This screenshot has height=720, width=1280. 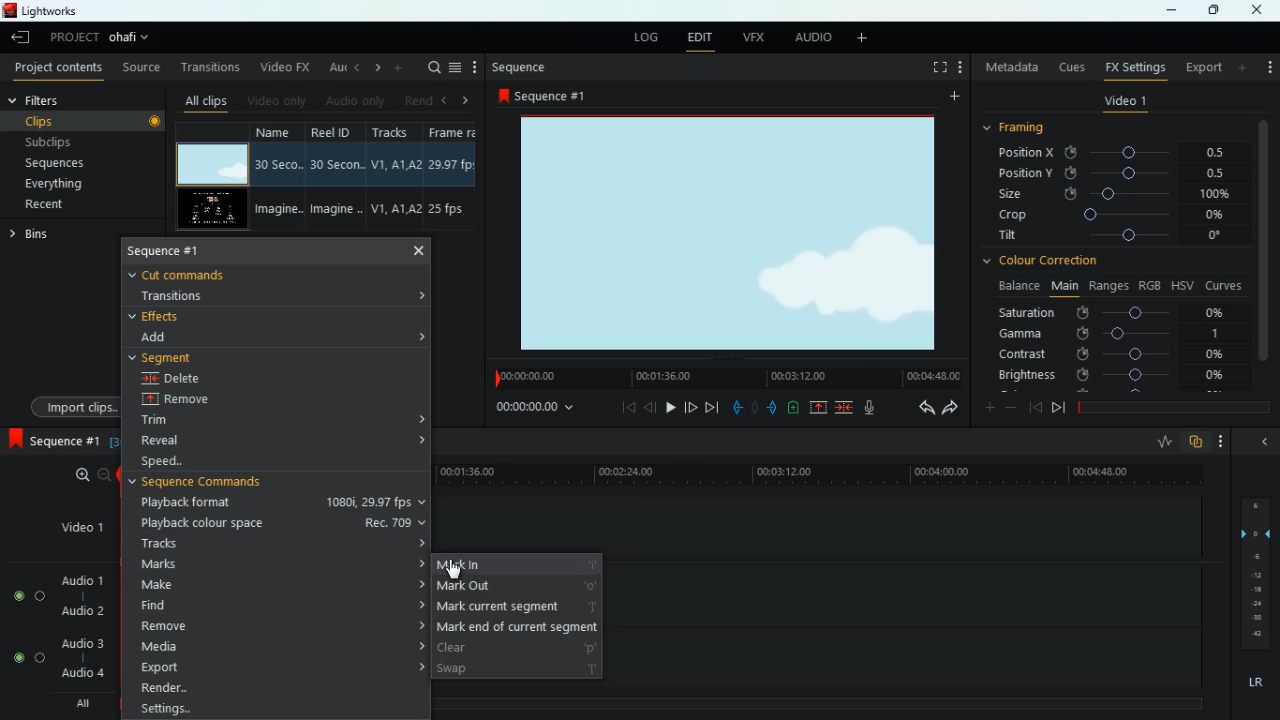 I want to click on reel id, so click(x=337, y=131).